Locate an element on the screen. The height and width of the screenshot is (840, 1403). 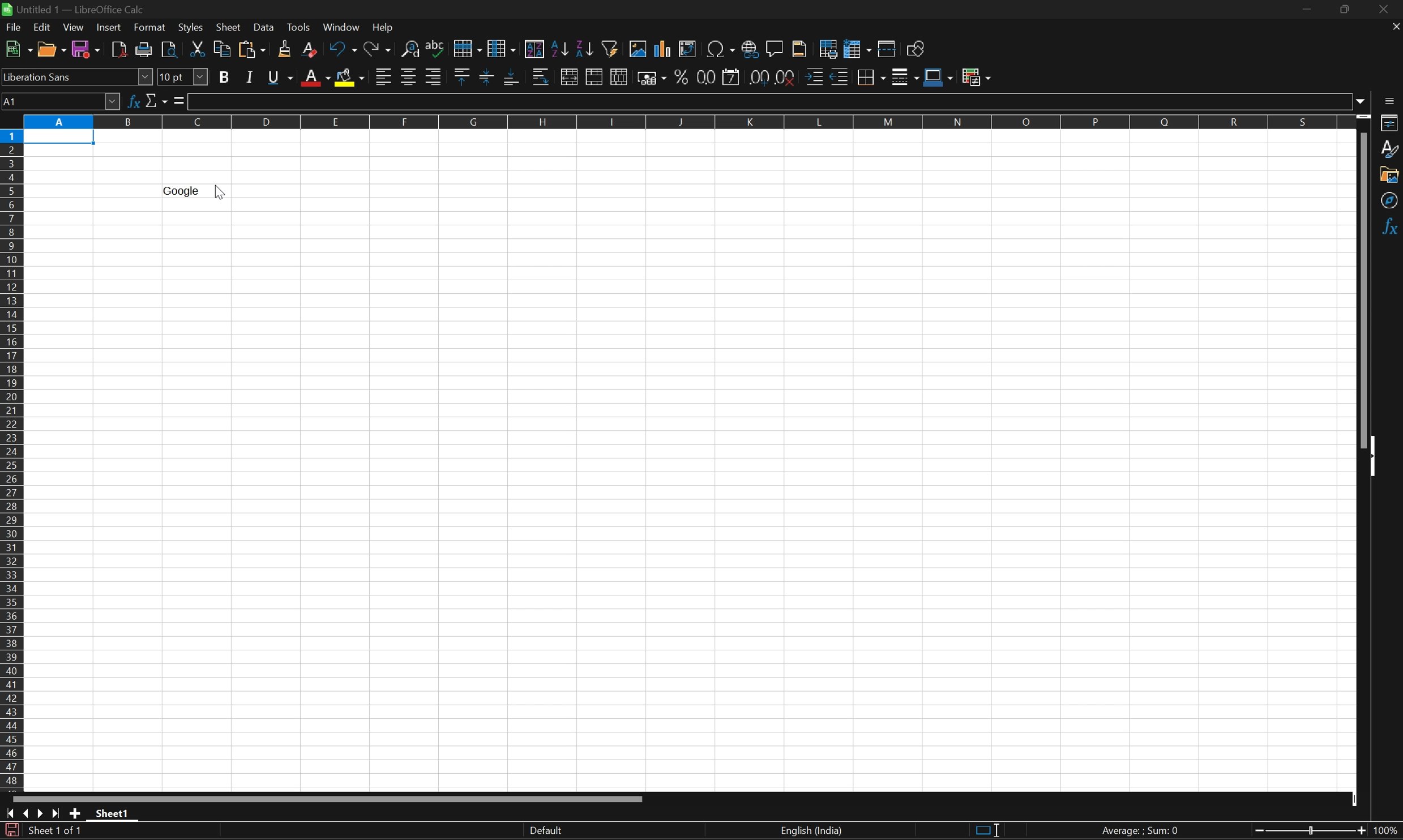
Scroll to previous sheet is located at coordinates (27, 813).